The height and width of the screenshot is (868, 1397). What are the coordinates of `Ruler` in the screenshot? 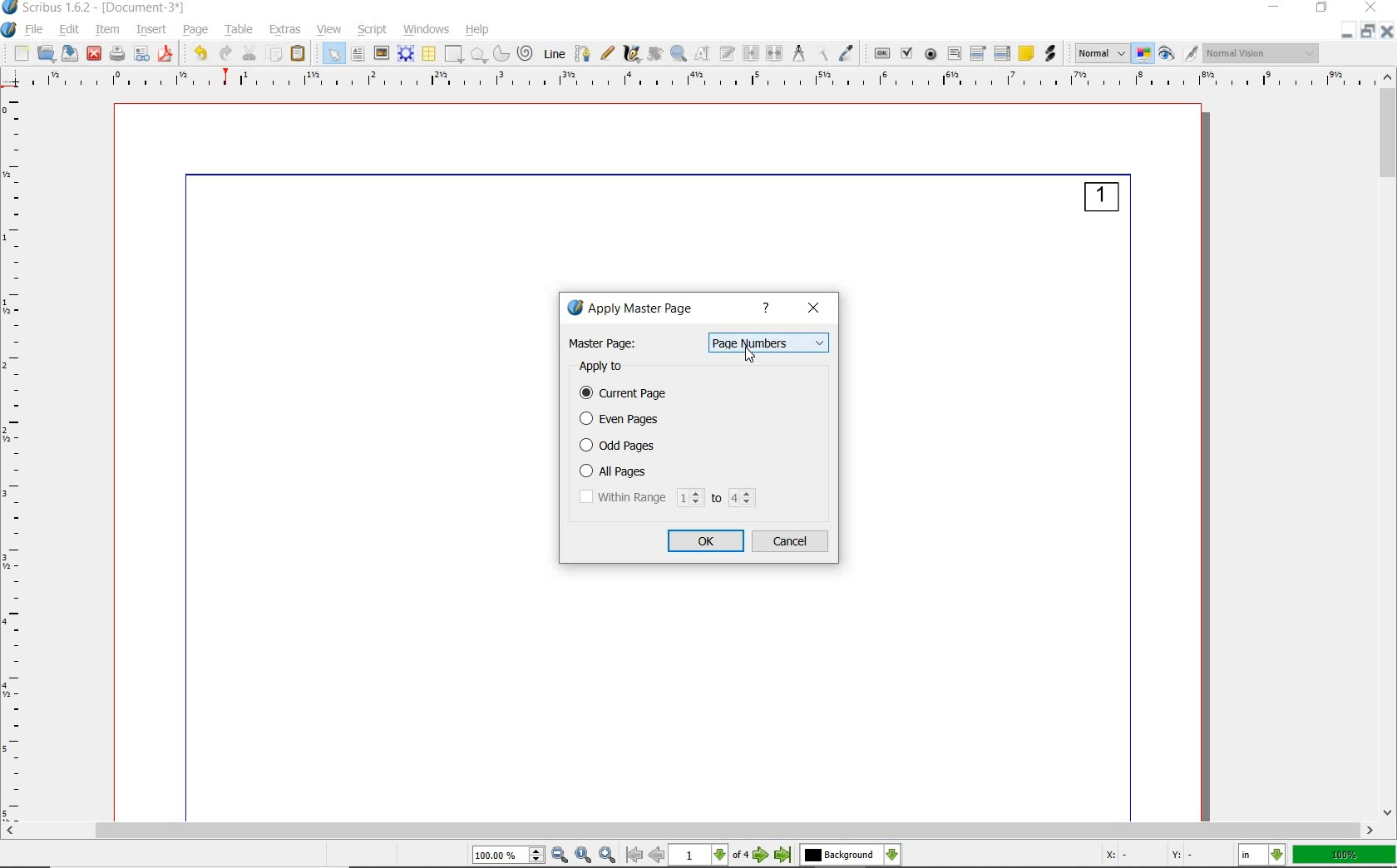 It's located at (704, 81).